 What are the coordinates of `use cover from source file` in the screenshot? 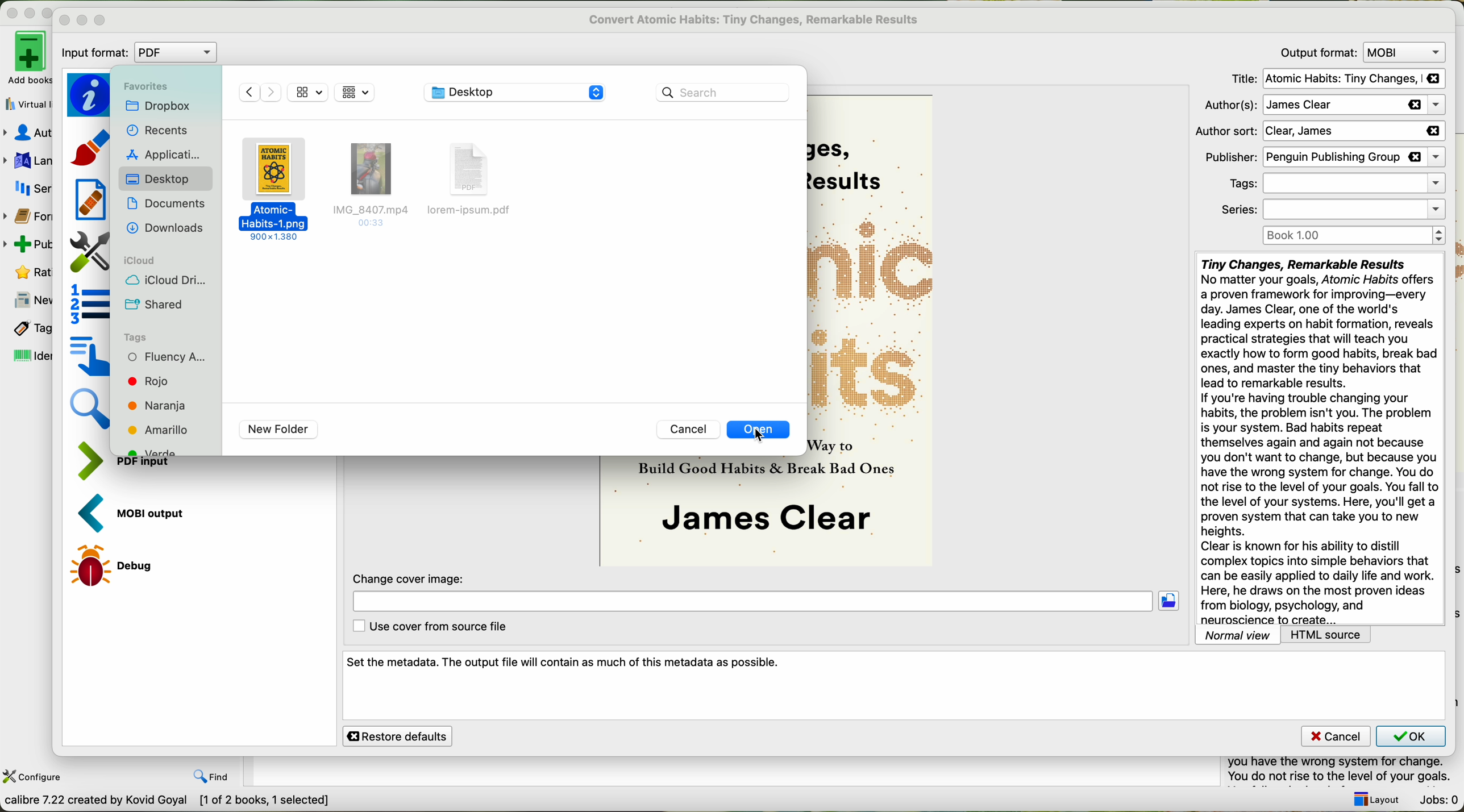 It's located at (428, 627).